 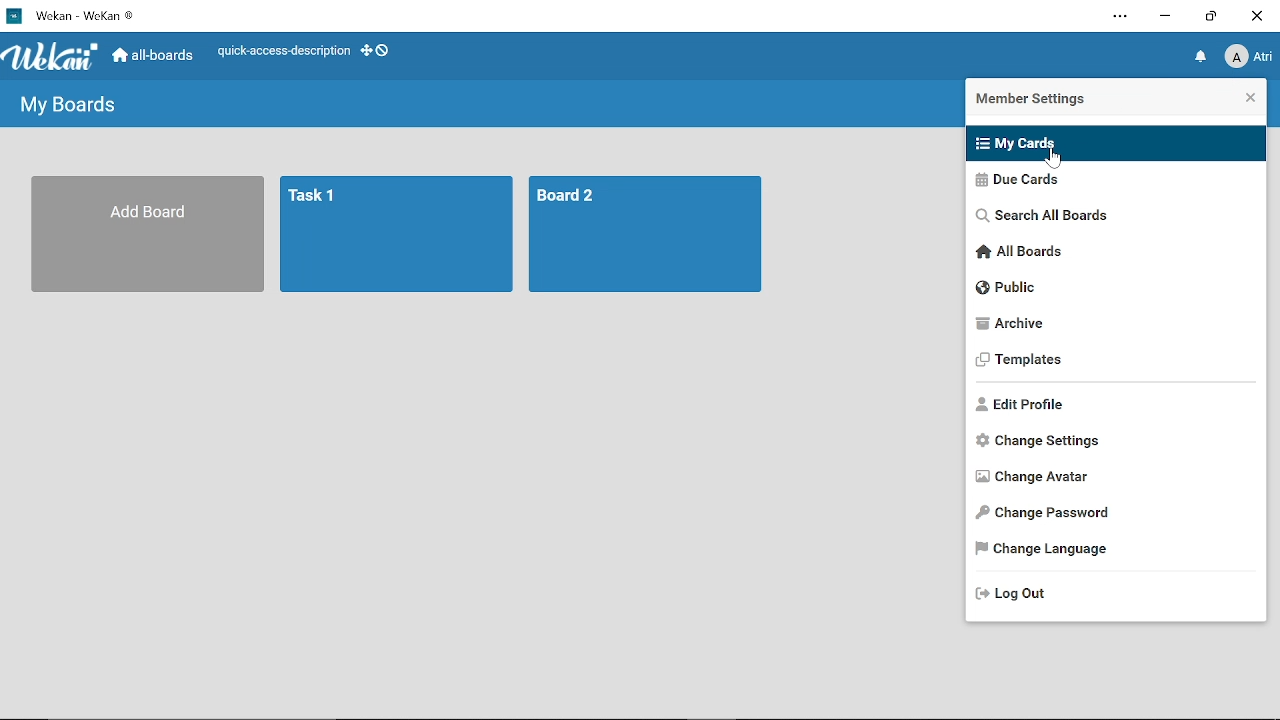 I want to click on Show desktop drag handles, so click(x=380, y=53).